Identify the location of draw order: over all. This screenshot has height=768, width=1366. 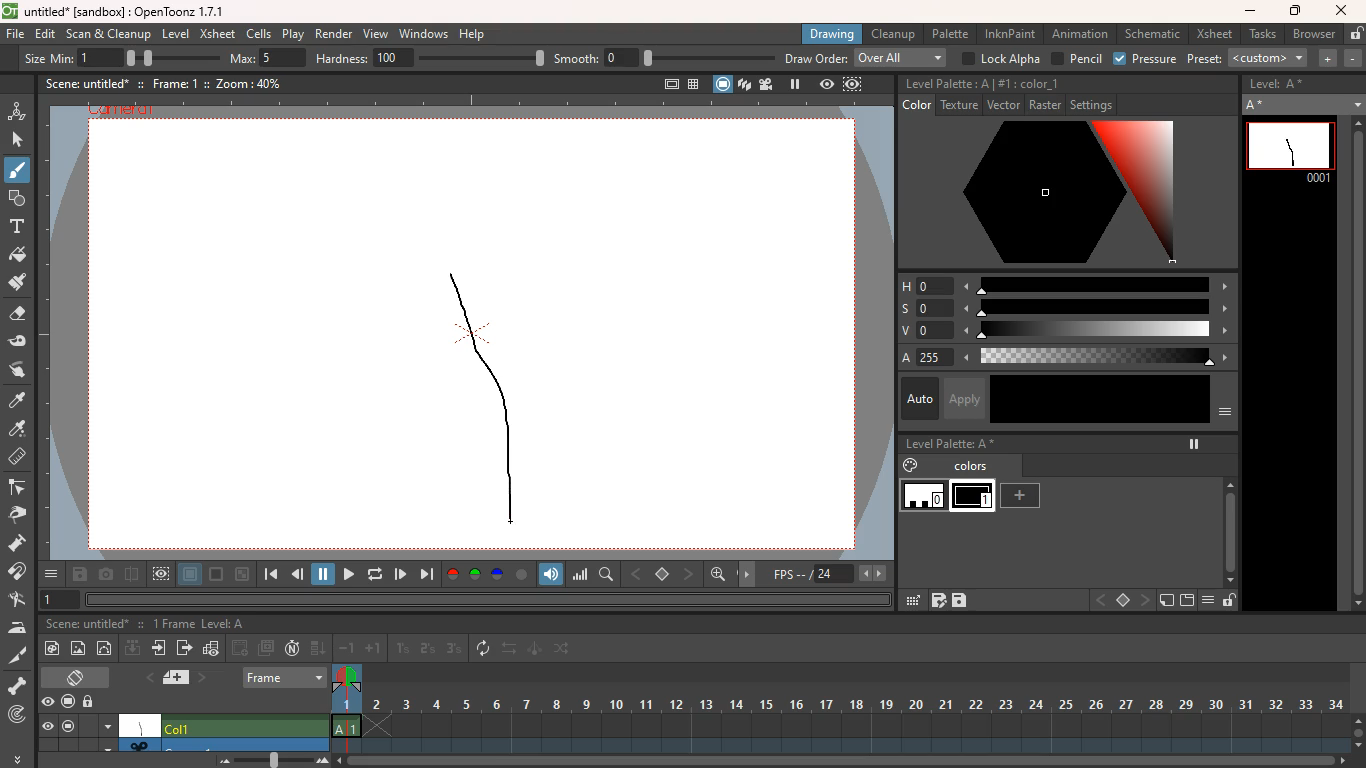
(868, 59).